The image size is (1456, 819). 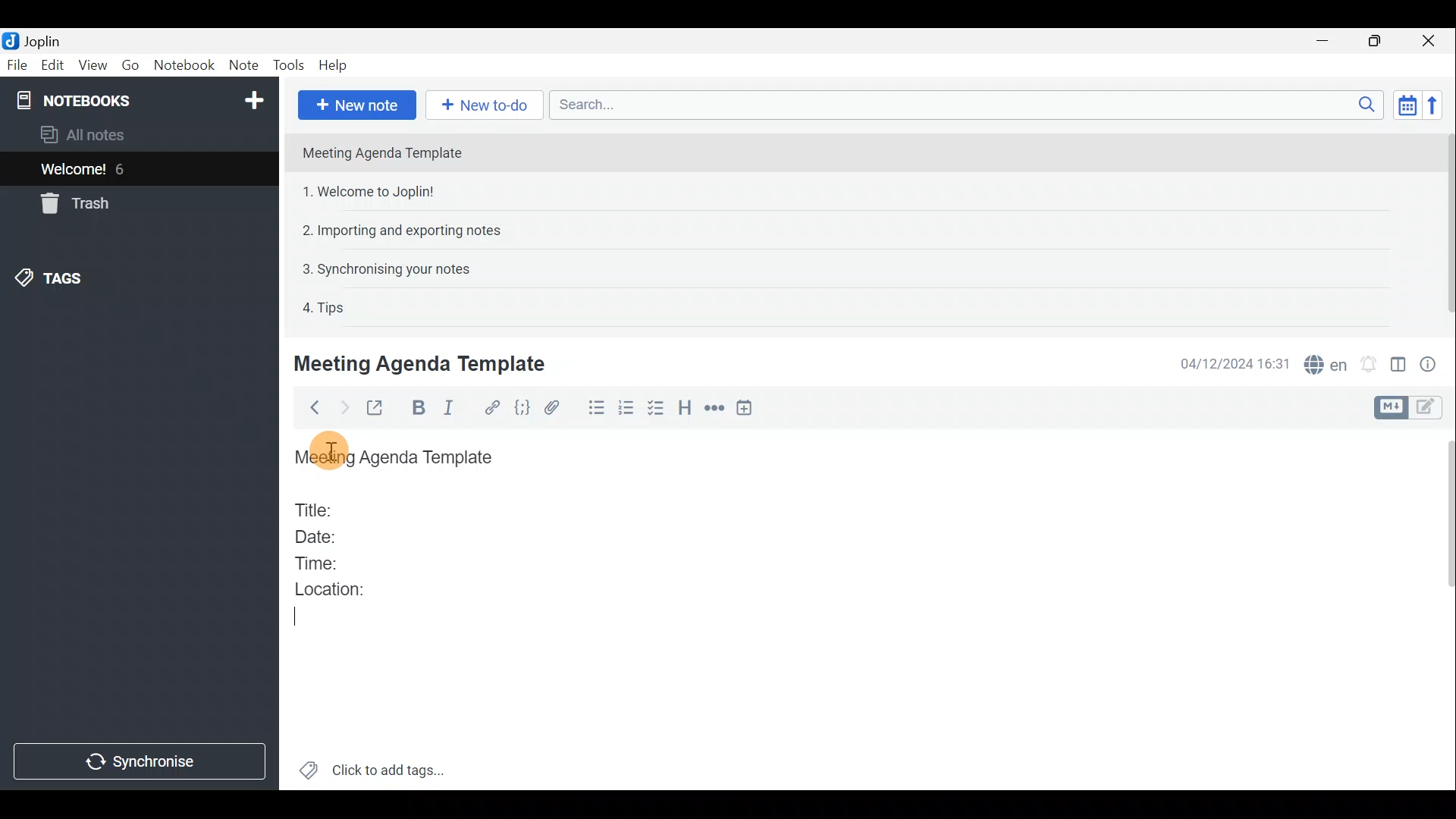 What do you see at coordinates (328, 535) in the screenshot?
I see `Date:` at bounding box center [328, 535].